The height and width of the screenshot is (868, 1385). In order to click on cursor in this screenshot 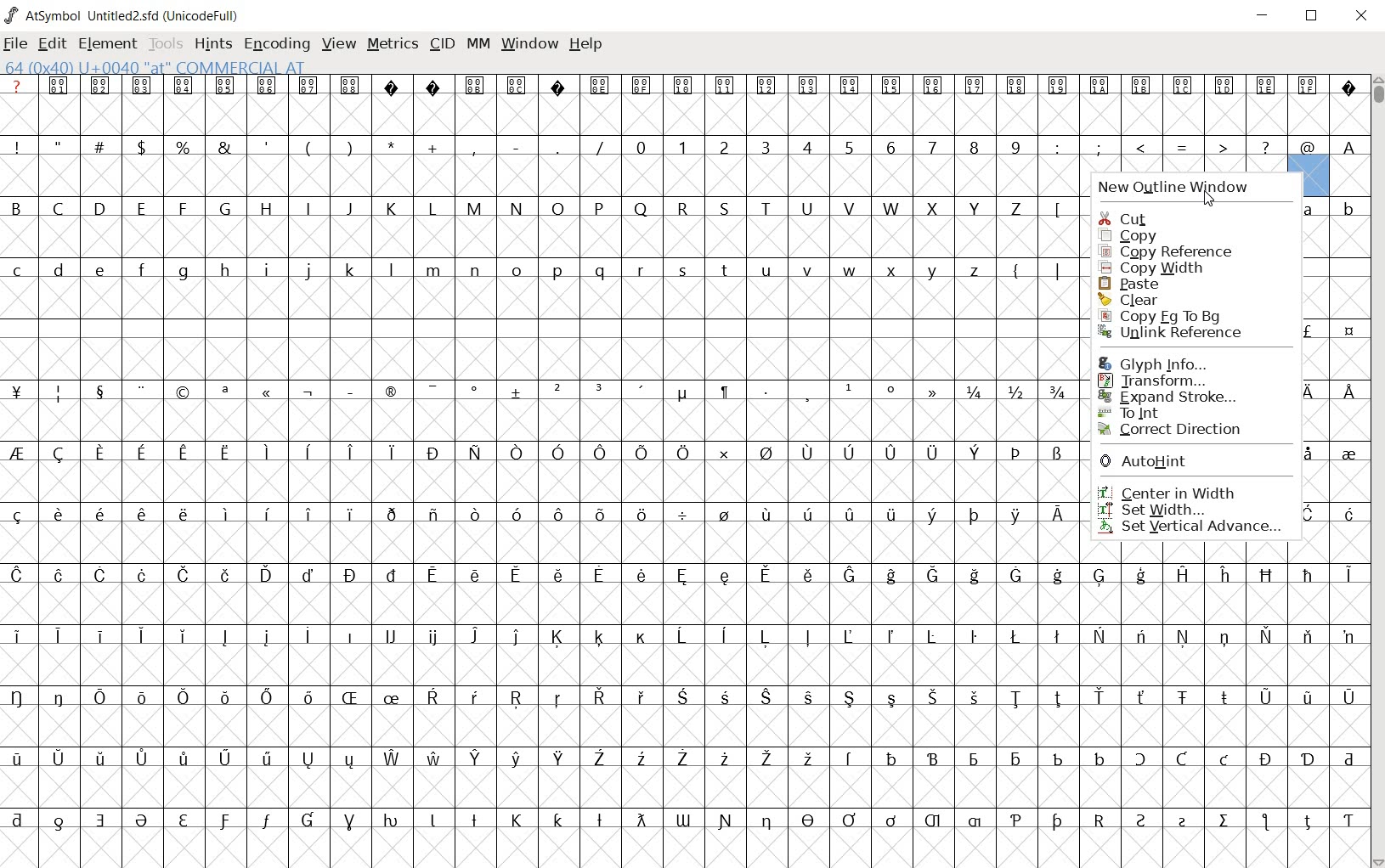, I will do `click(1209, 200)`.